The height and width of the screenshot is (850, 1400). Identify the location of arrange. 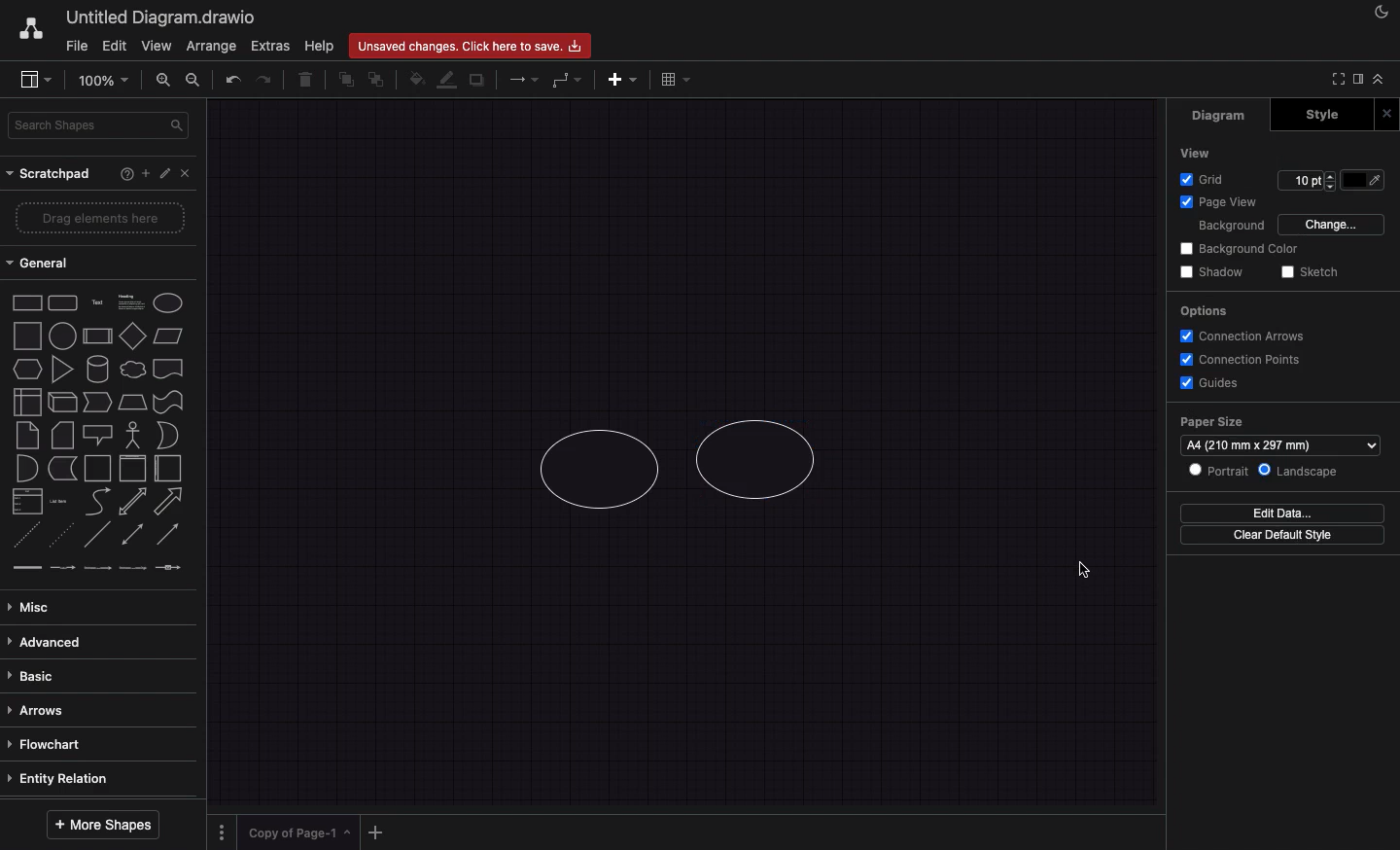
(212, 48).